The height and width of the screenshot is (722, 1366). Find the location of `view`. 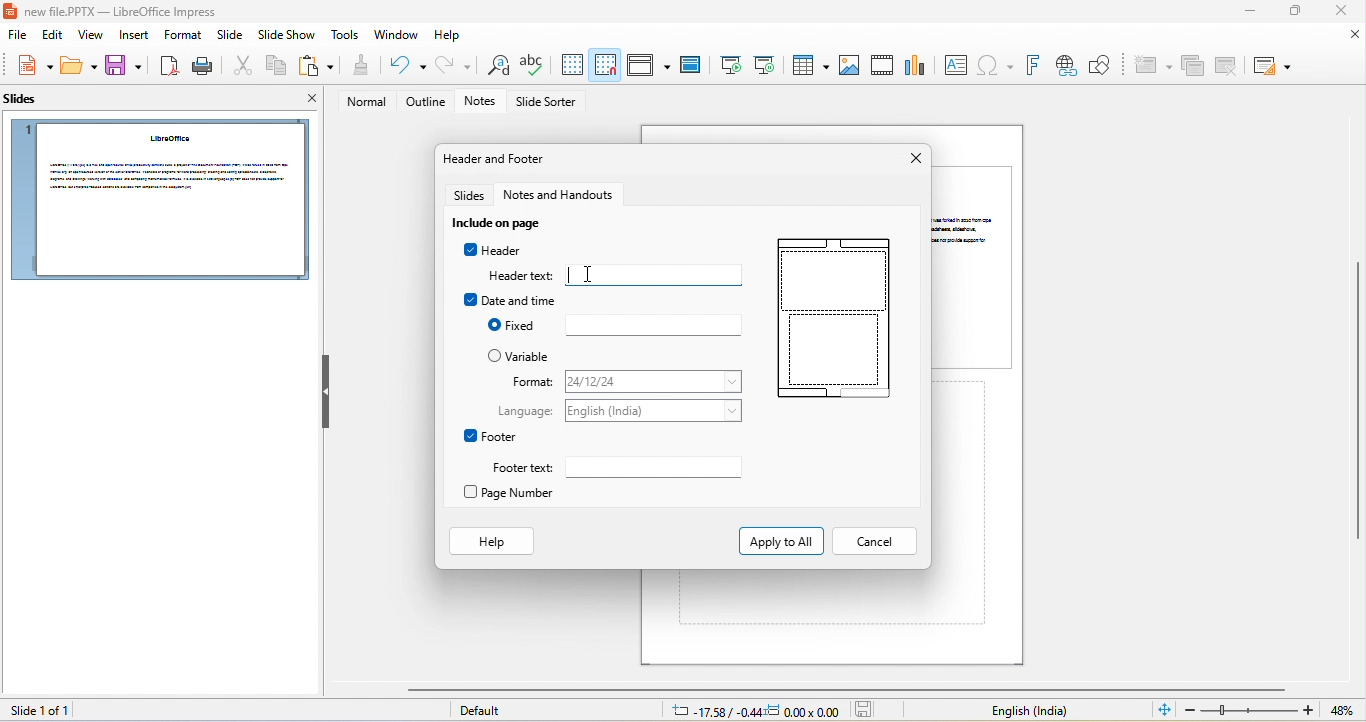

view is located at coordinates (92, 37).